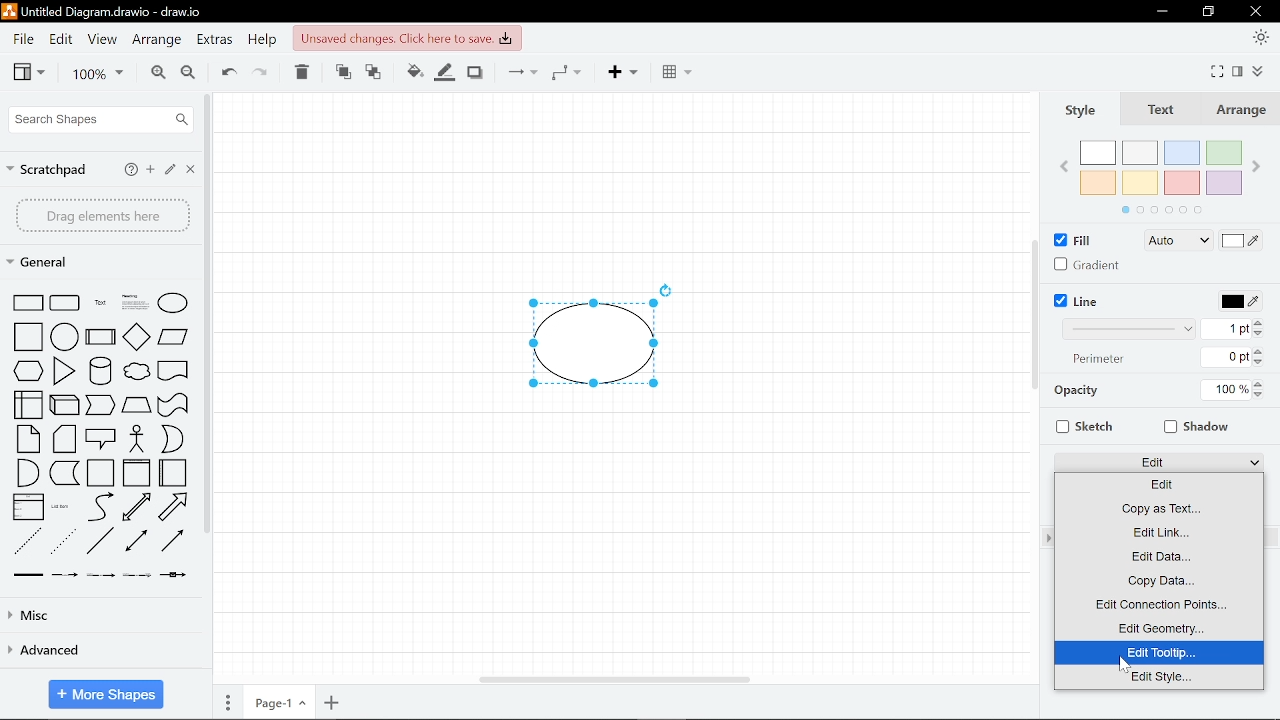 The image size is (1280, 720). Describe the element at coordinates (1225, 391) in the screenshot. I see `Current opacity` at that location.